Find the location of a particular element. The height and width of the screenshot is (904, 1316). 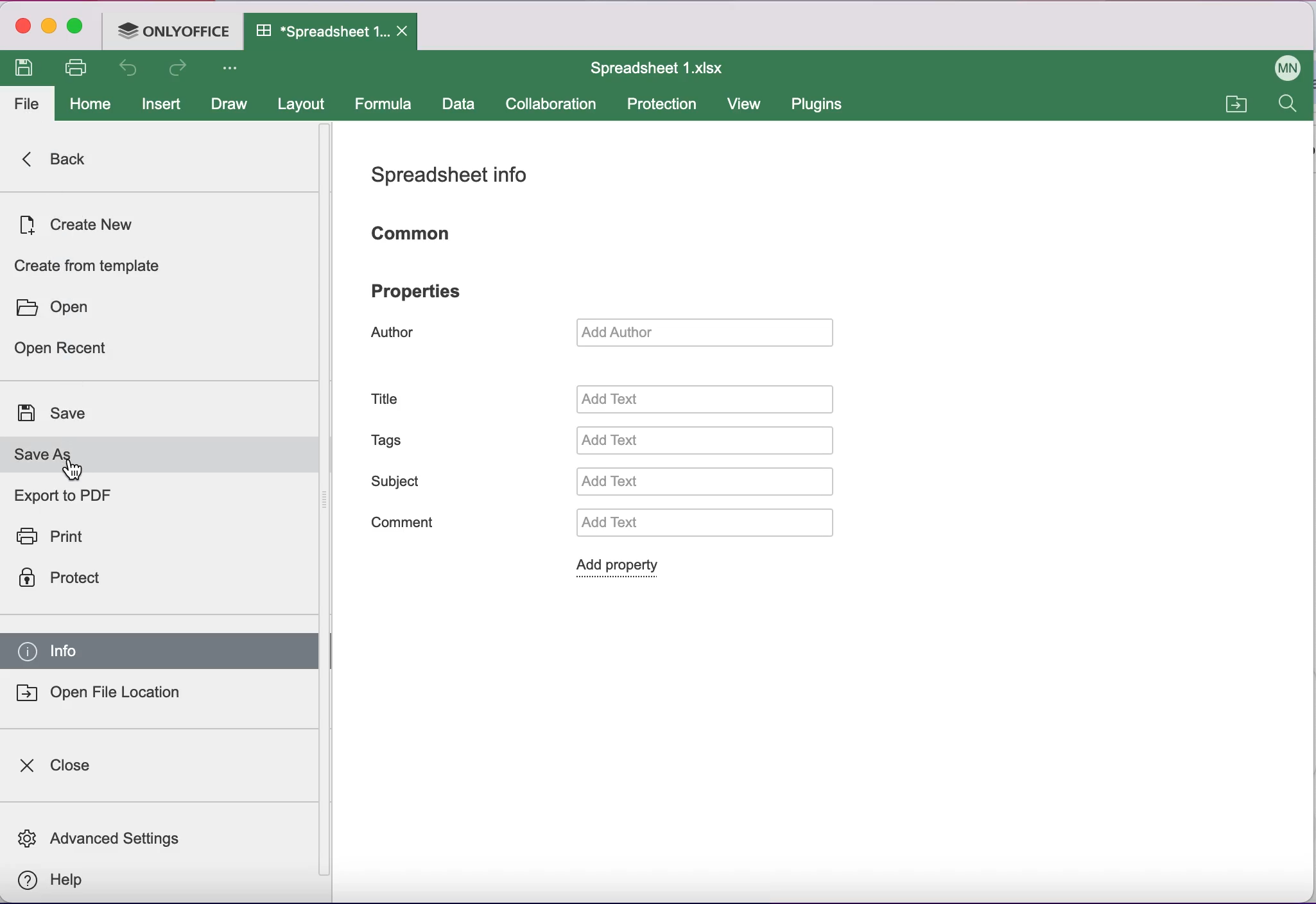

formula is located at coordinates (386, 105).